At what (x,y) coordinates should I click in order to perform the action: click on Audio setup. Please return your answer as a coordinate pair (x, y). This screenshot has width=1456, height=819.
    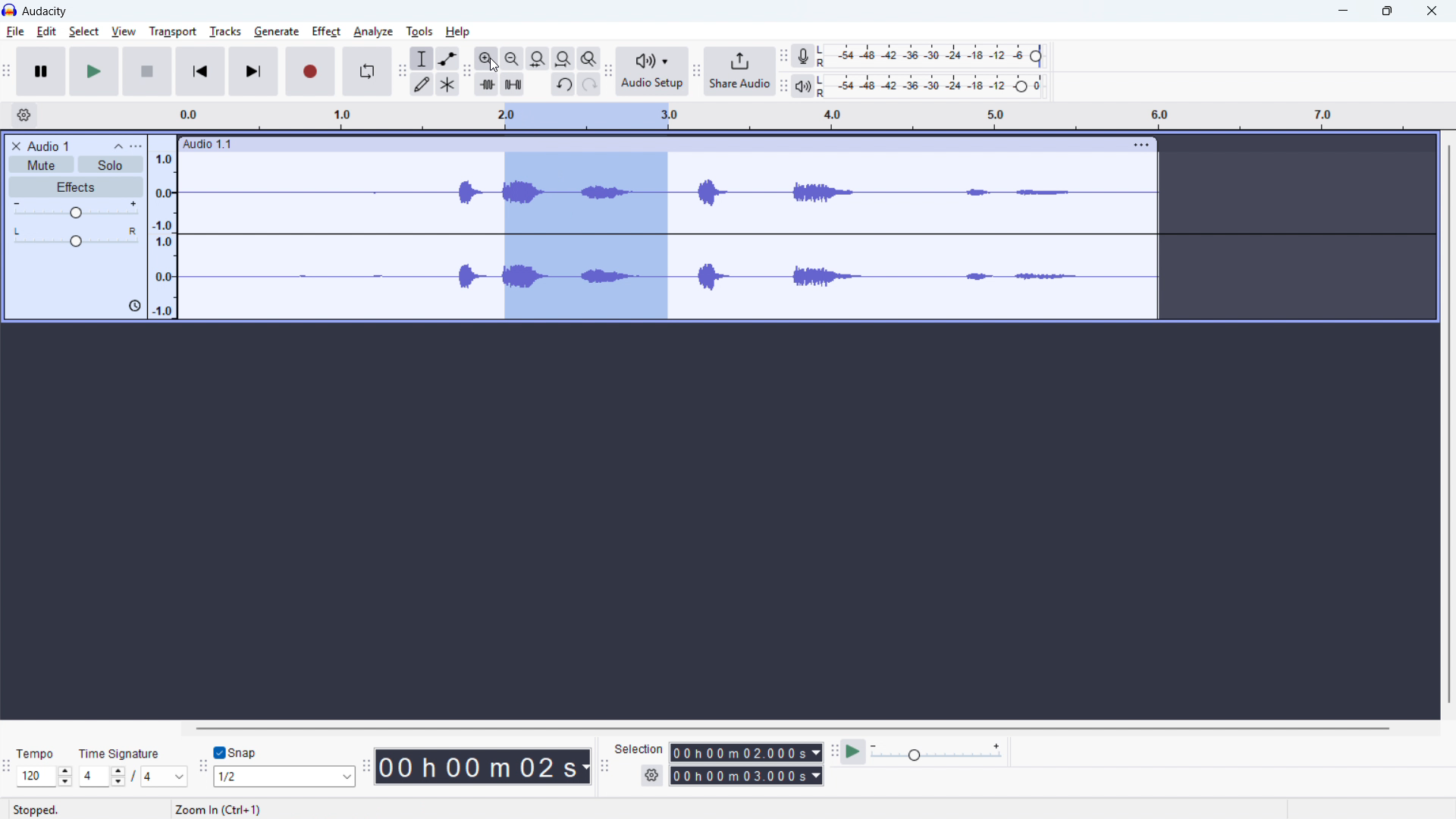
    Looking at the image, I should click on (652, 71).